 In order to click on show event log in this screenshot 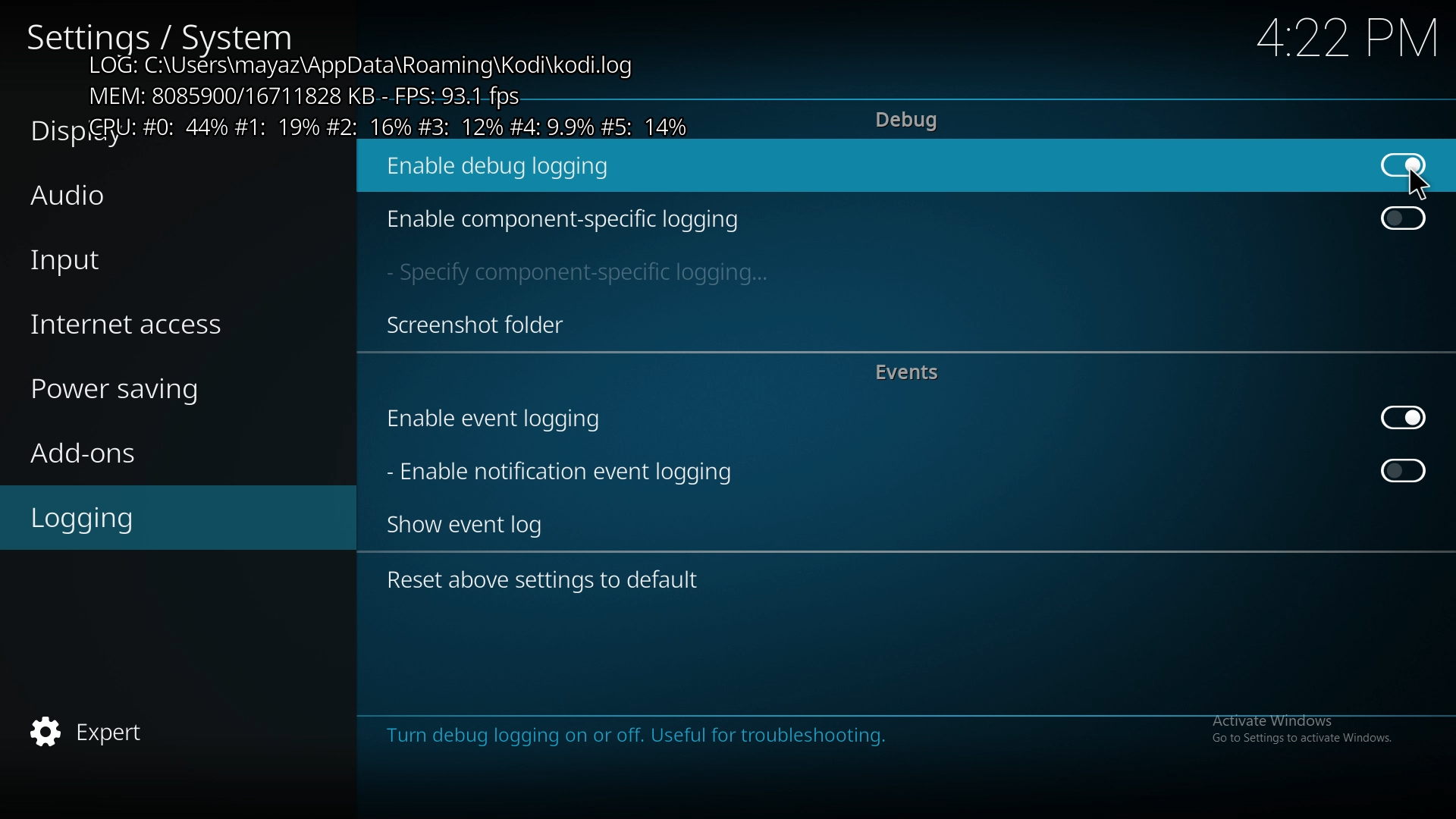, I will do `click(479, 524)`.